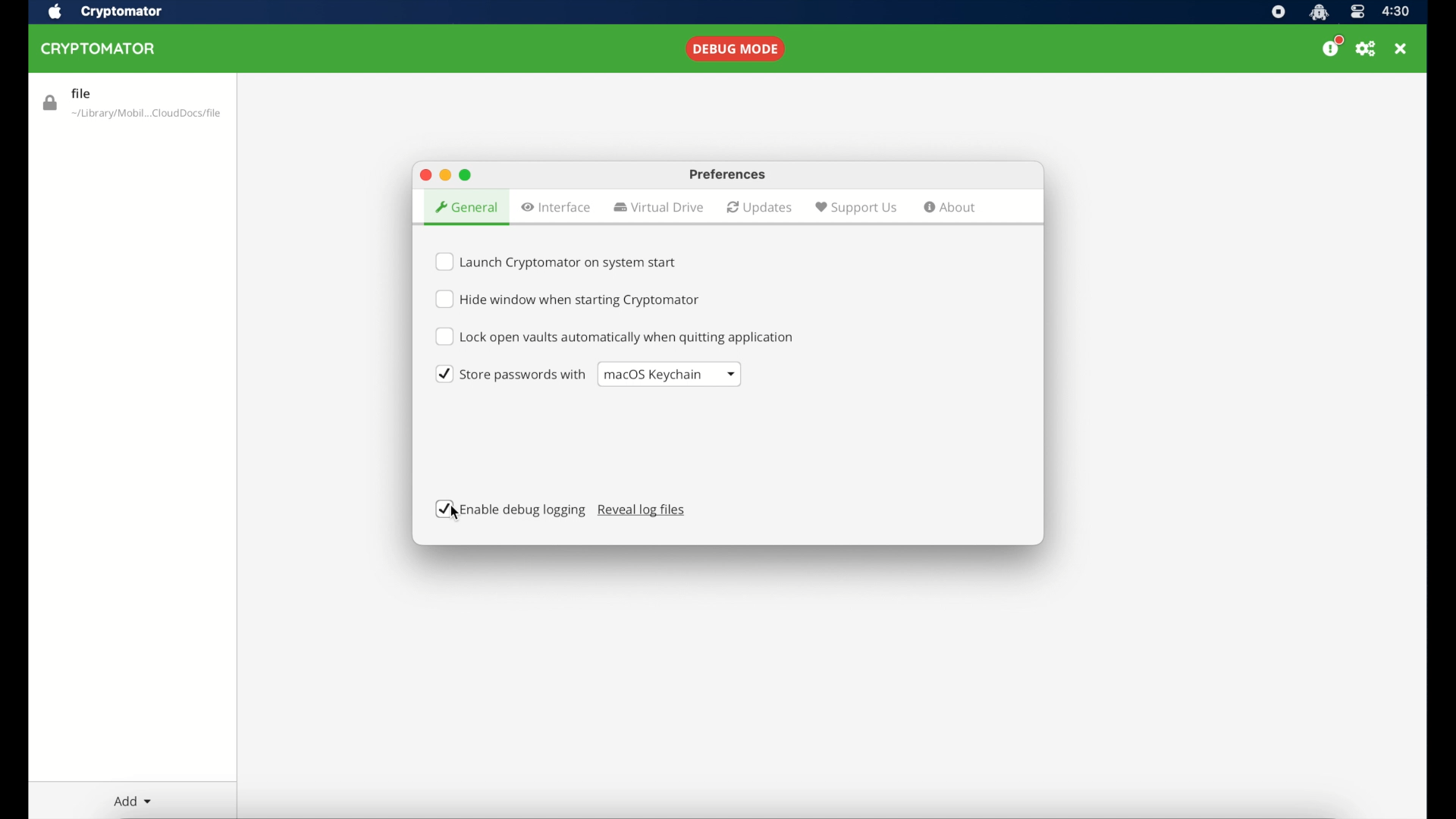  What do you see at coordinates (122, 11) in the screenshot?
I see `crytomator` at bounding box center [122, 11].